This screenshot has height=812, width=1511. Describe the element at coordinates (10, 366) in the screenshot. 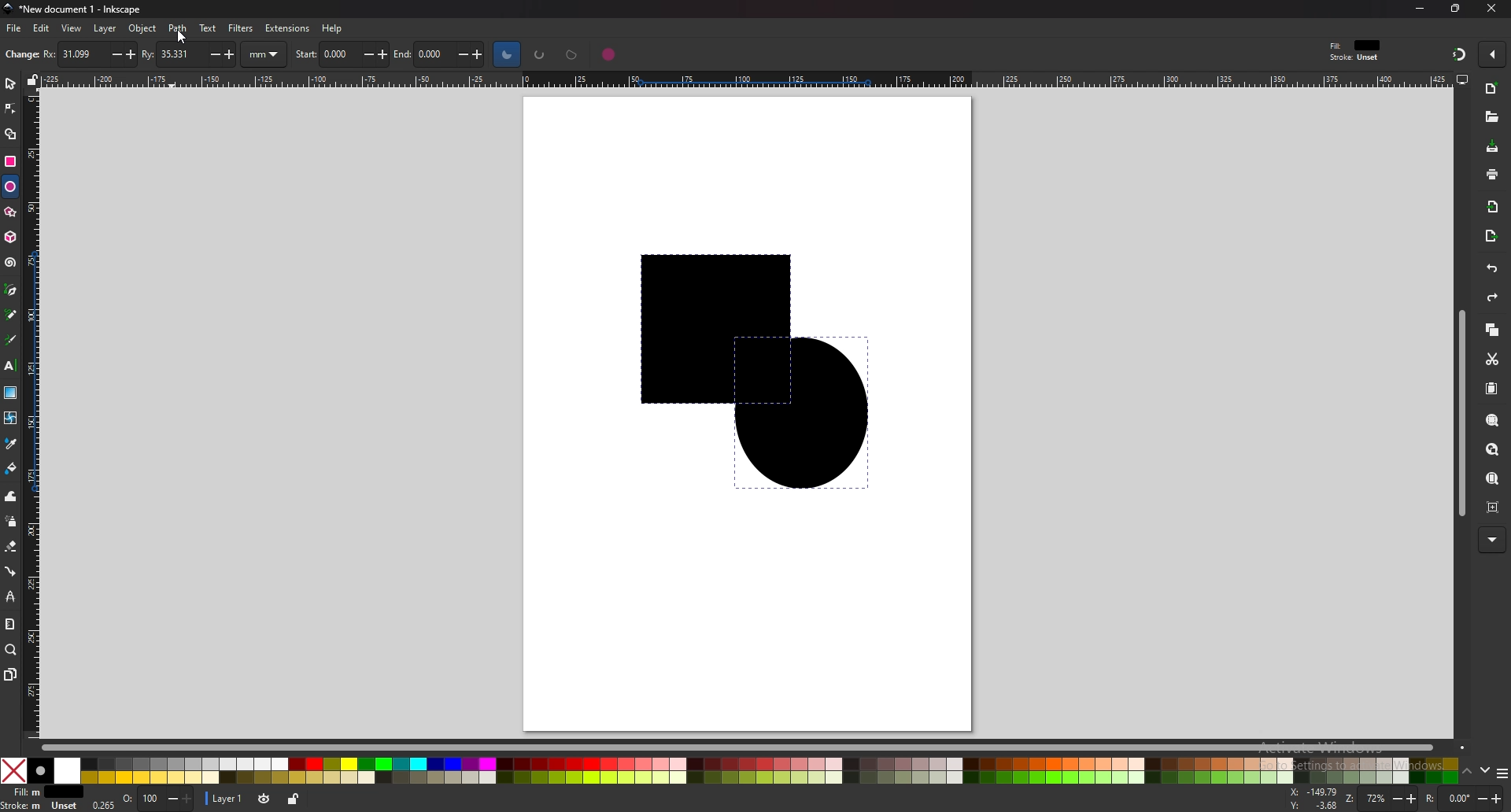

I see `text` at that location.